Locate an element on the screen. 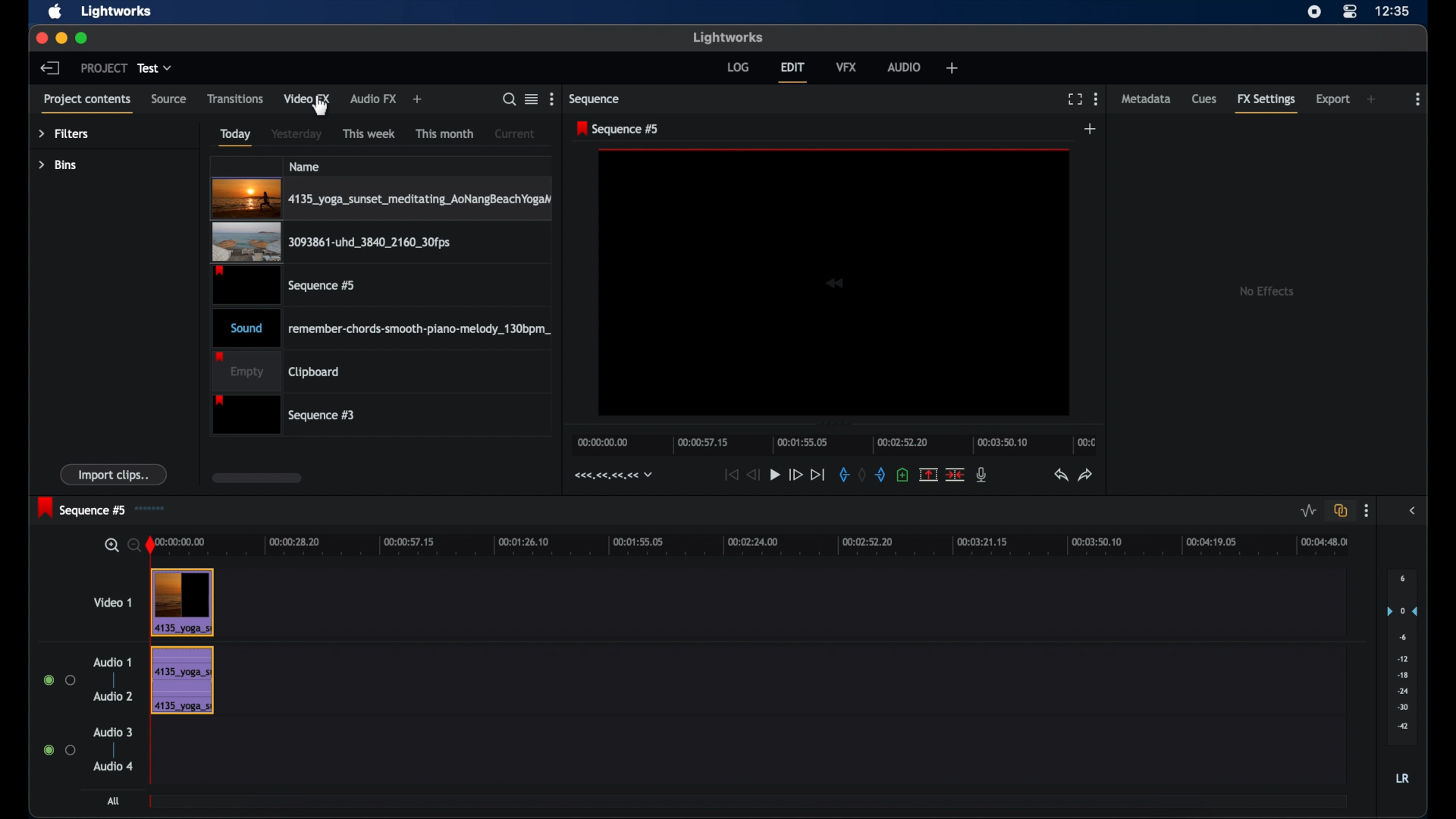 The image size is (1456, 819). yesterday is located at coordinates (296, 133).